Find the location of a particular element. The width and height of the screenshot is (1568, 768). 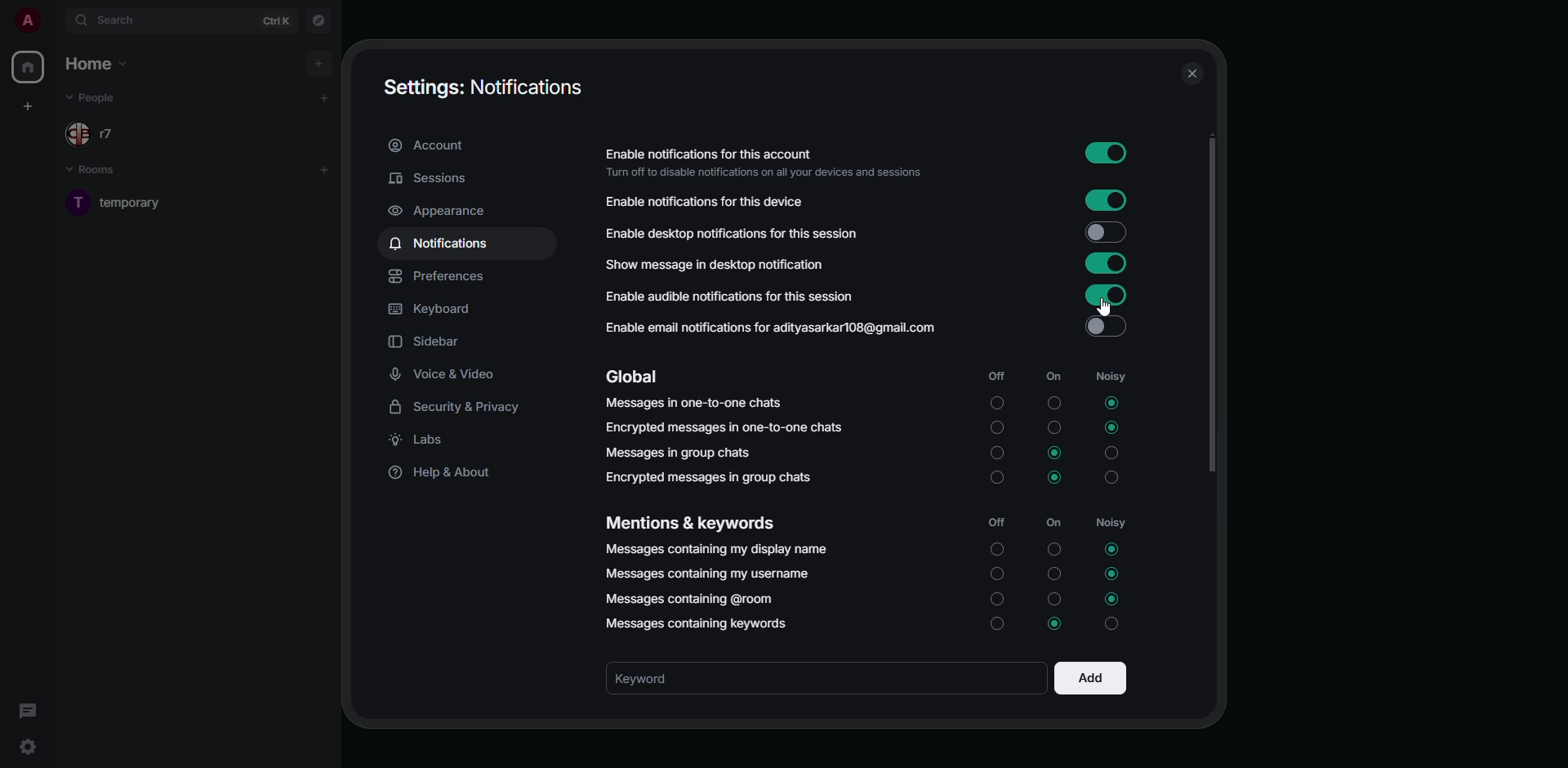

on is located at coordinates (1054, 402).